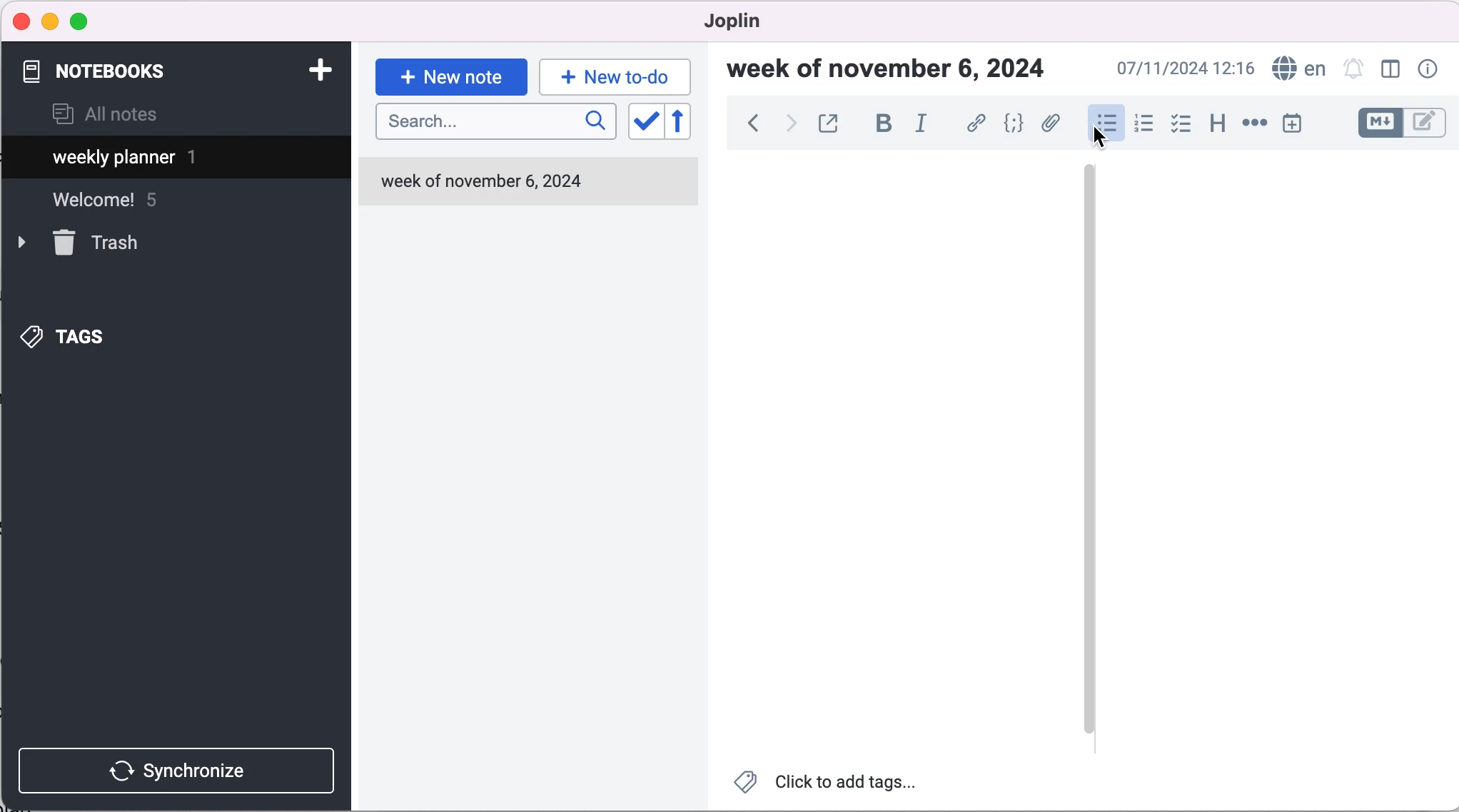  What do you see at coordinates (1102, 138) in the screenshot?
I see `cursor` at bounding box center [1102, 138].